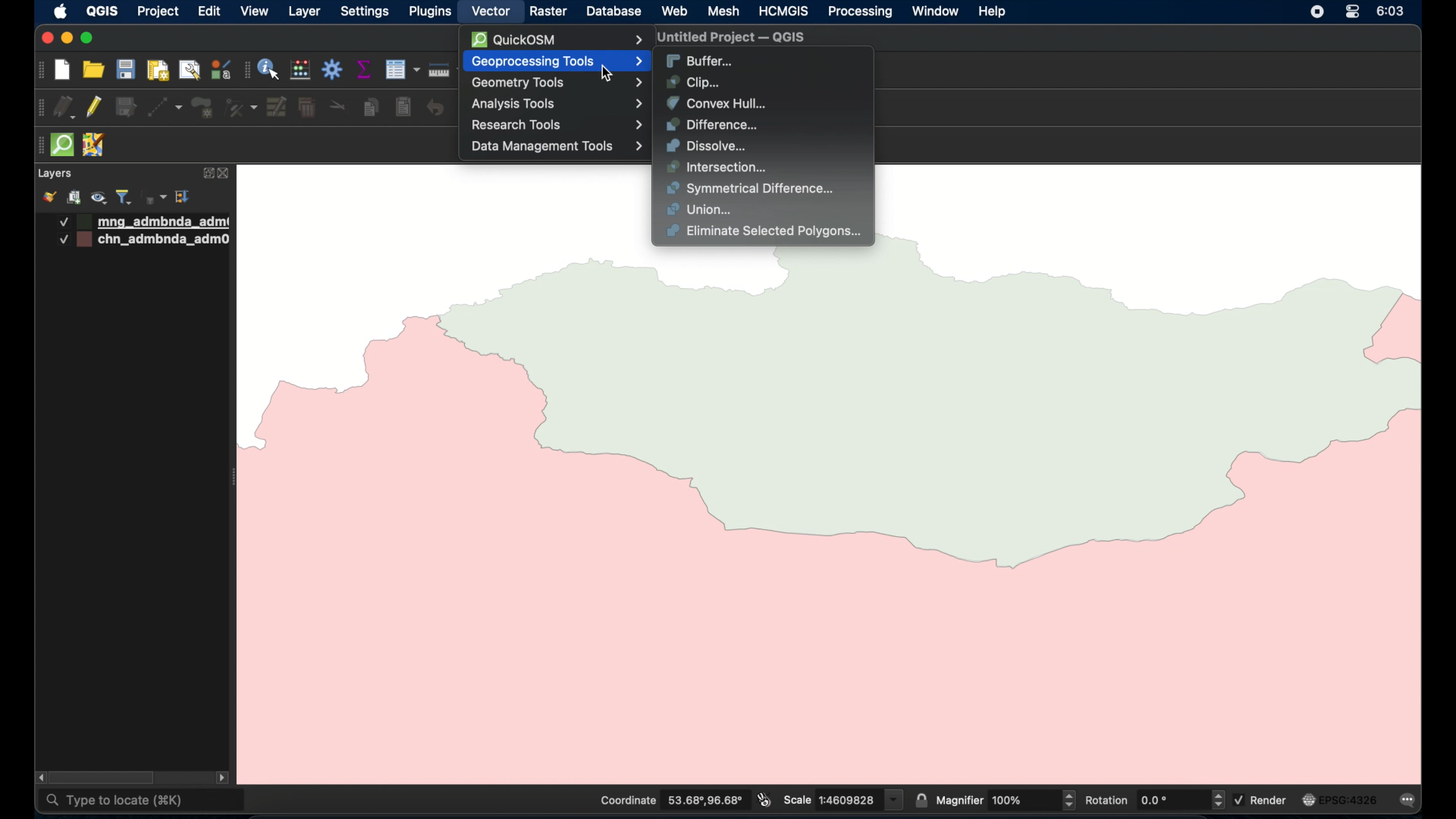  I want to click on HCMGIS, so click(782, 11).